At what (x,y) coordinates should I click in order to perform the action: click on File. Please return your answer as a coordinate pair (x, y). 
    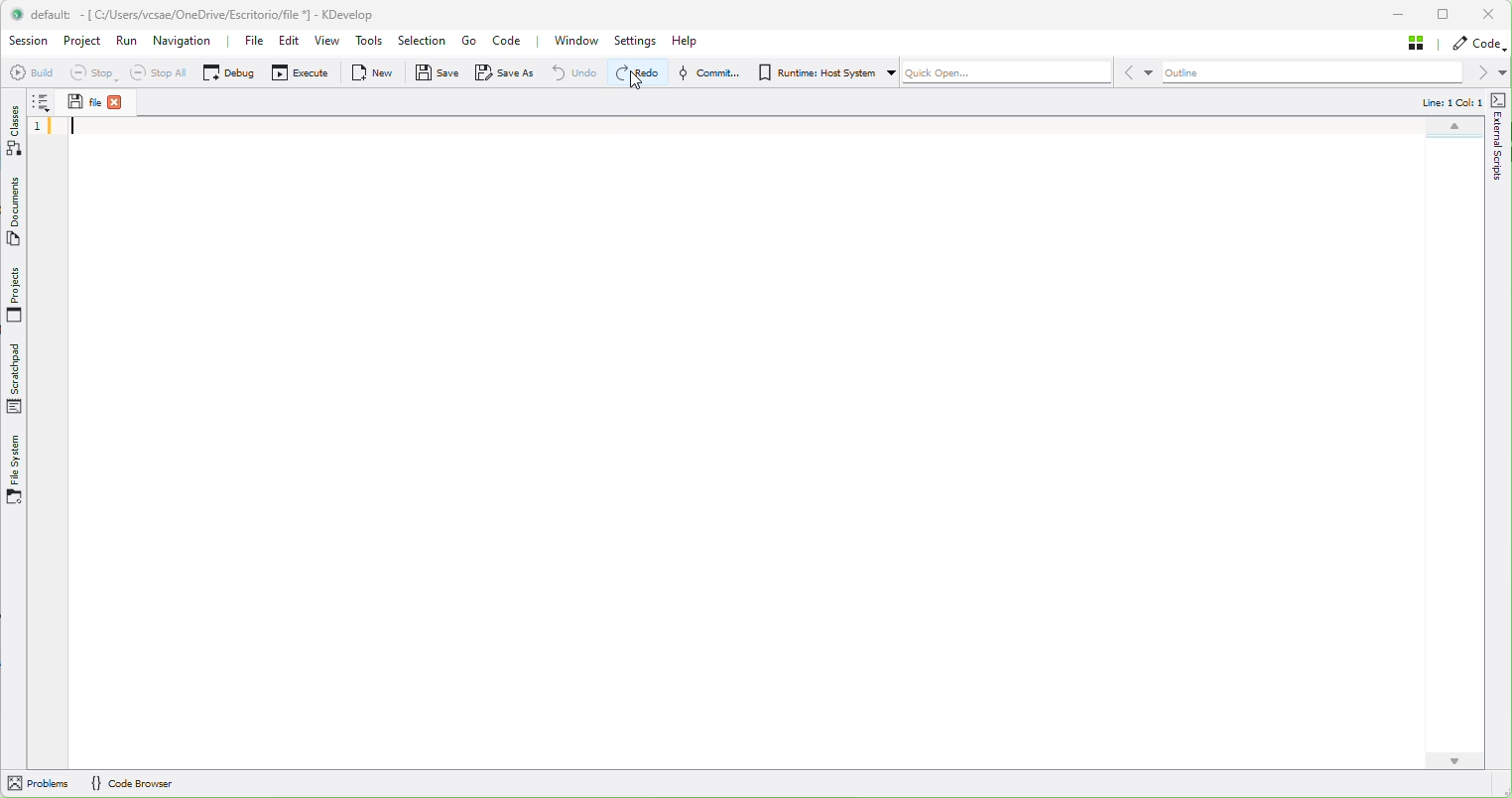
    Looking at the image, I should click on (250, 40).